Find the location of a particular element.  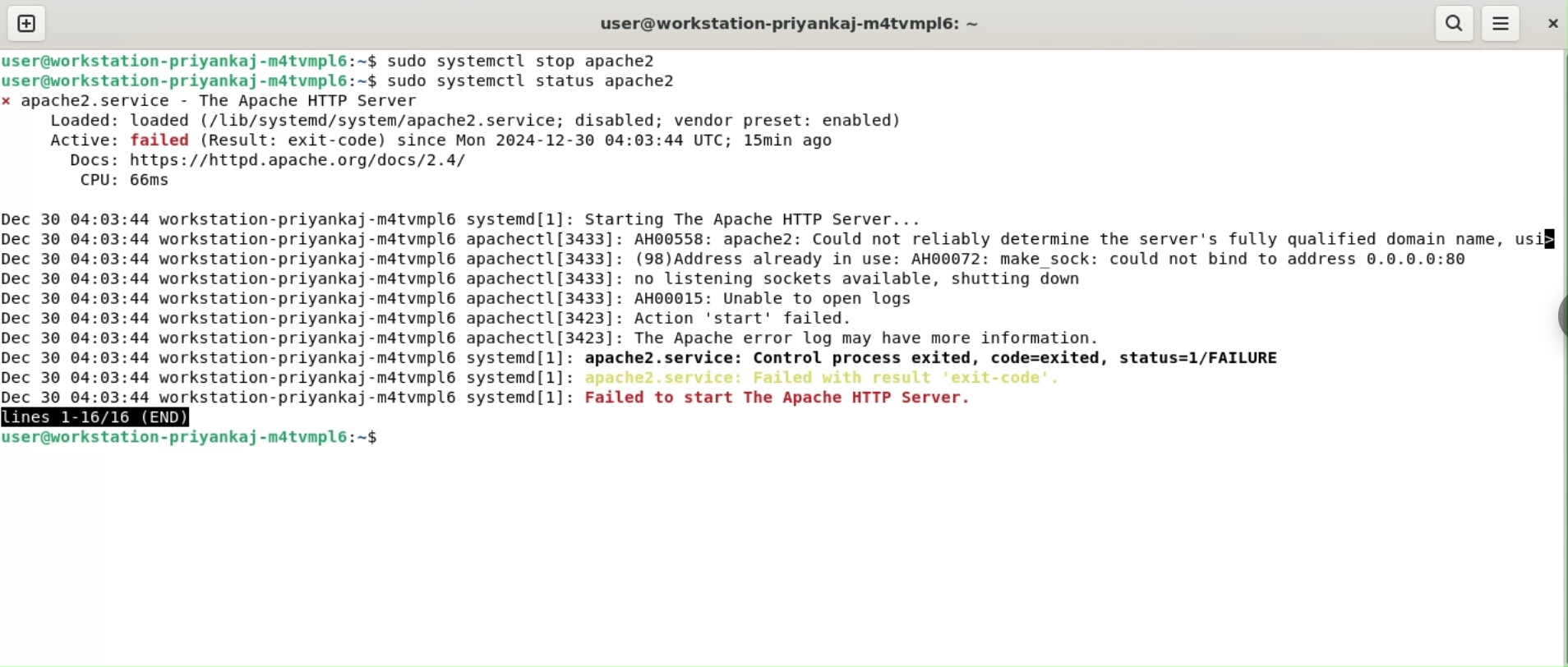

user@workstation-priyankaj-m4tvmlp6:~$ is located at coordinates (195, 439).